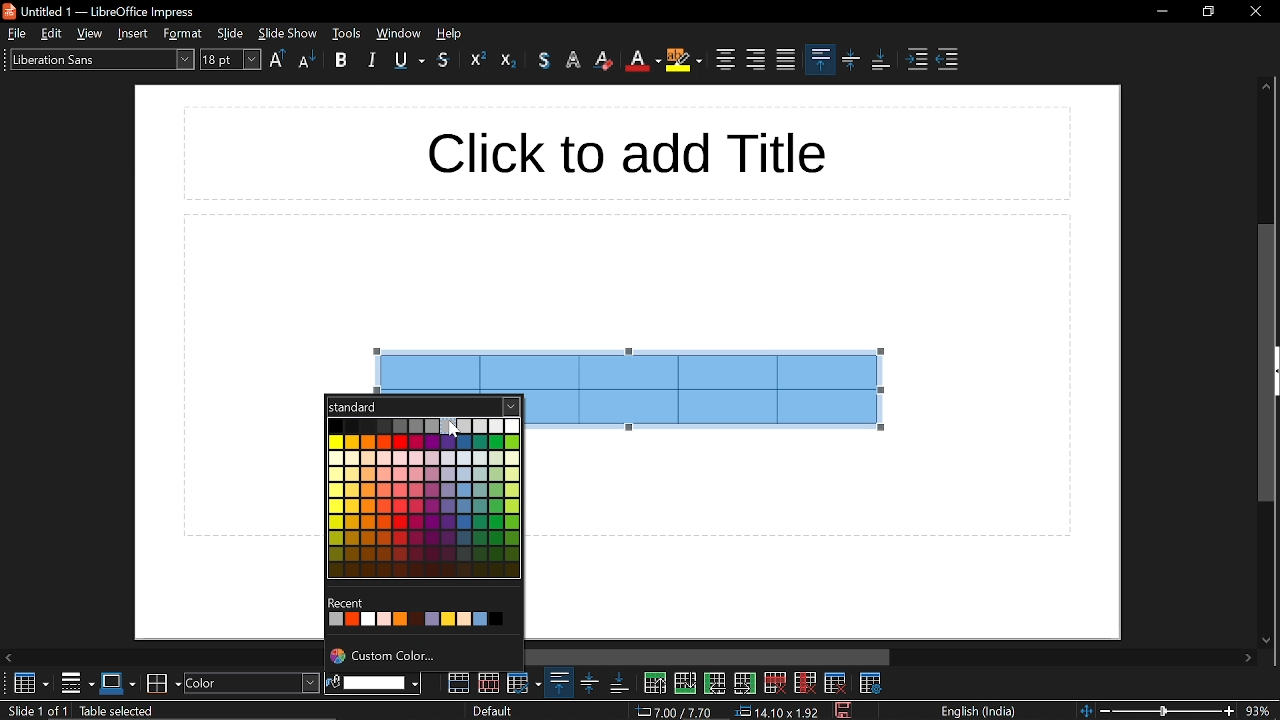 The image size is (1280, 720). I want to click on delete table, so click(836, 682).